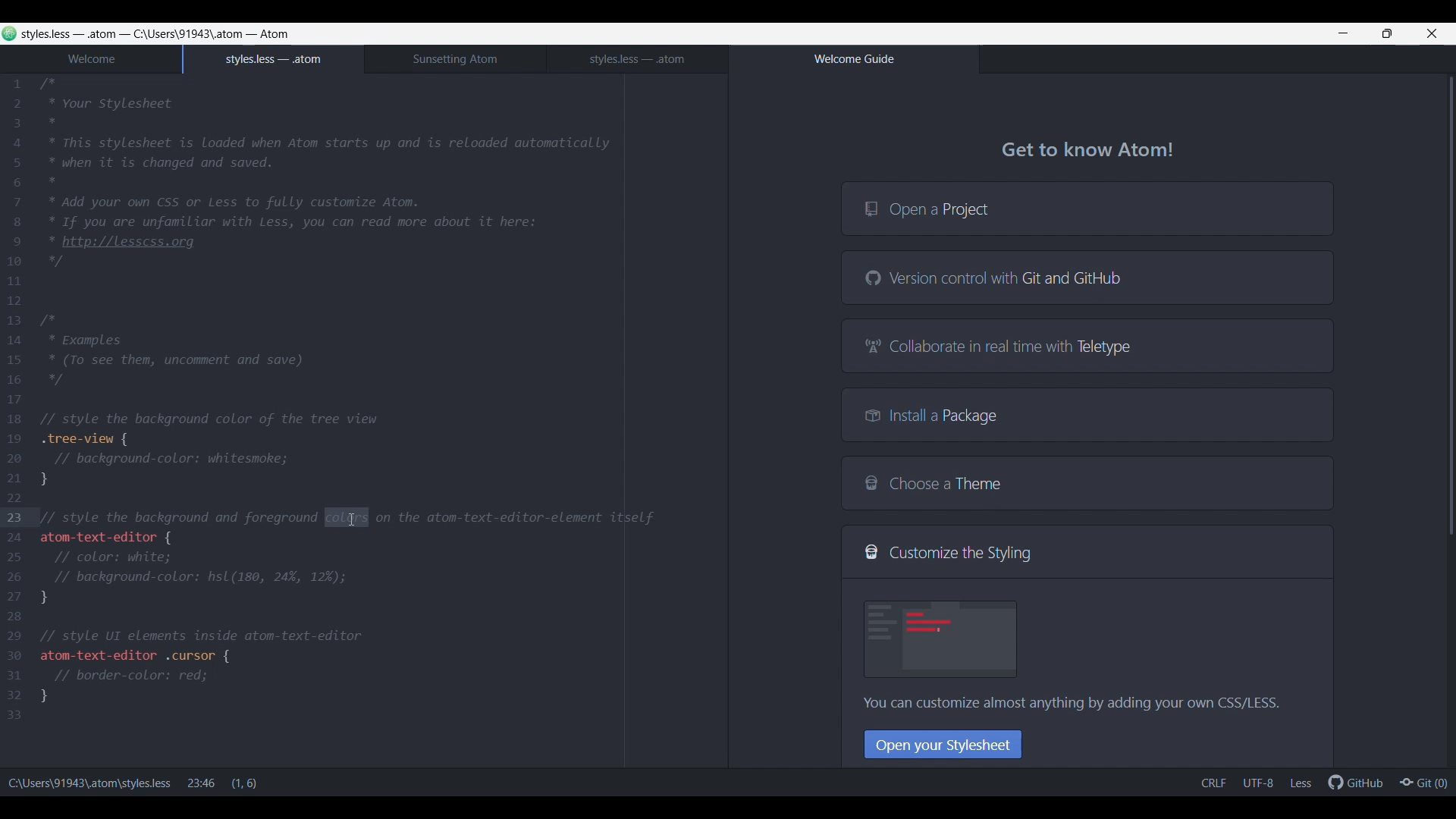 The width and height of the screenshot is (1456, 819). Describe the element at coordinates (1423, 781) in the screenshot. I see `Git` at that location.